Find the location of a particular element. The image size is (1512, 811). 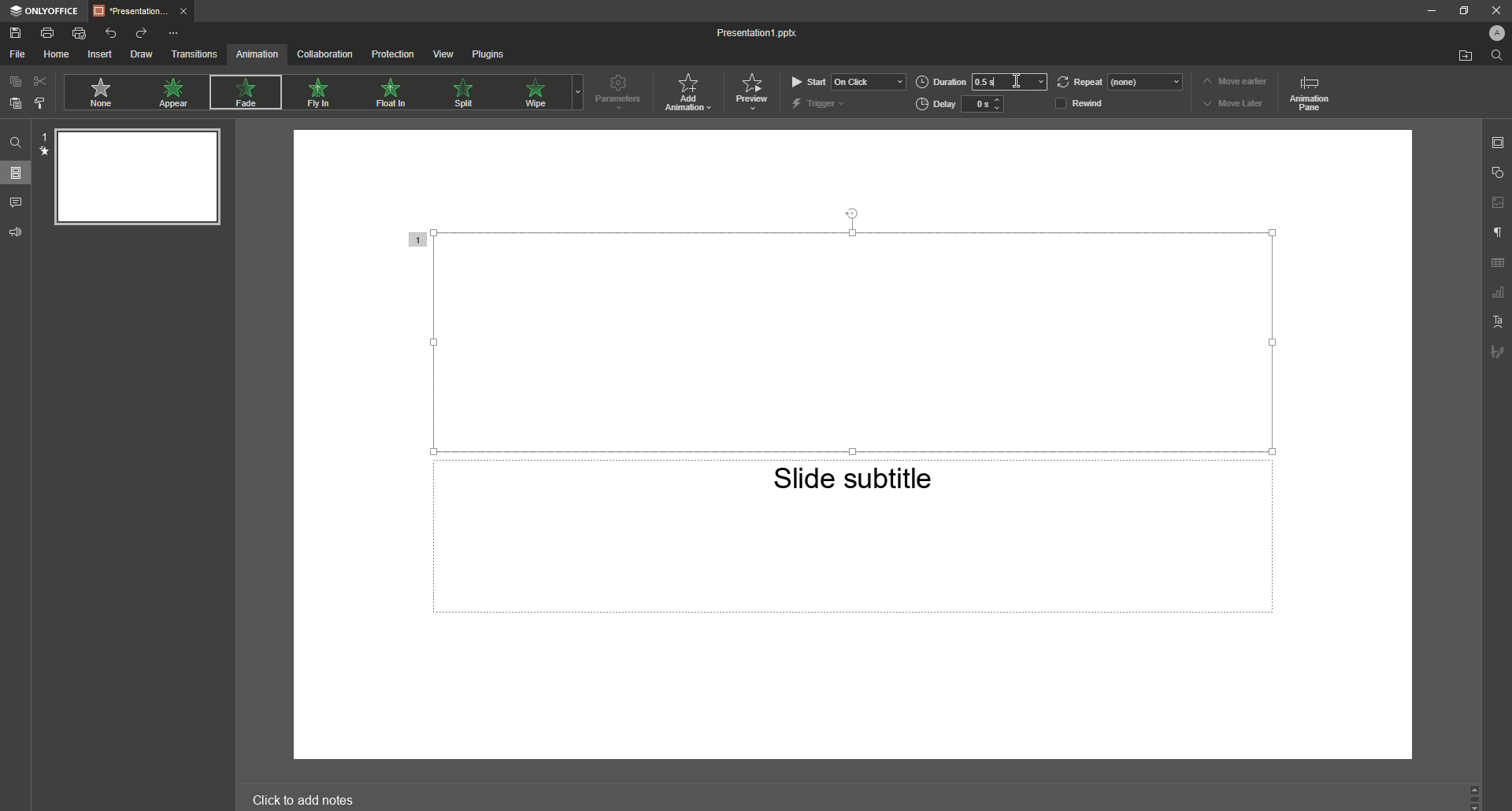

Repeat is located at coordinates (1118, 79).